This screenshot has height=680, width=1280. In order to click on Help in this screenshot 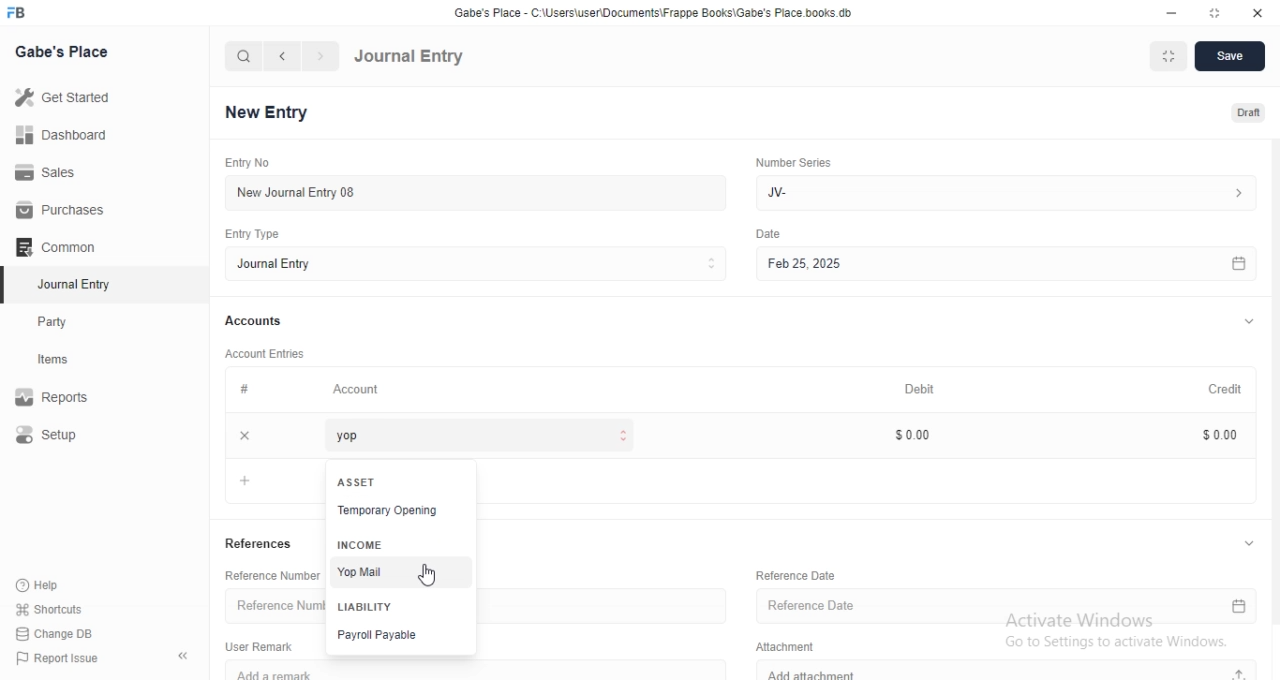, I will do `click(63, 584)`.